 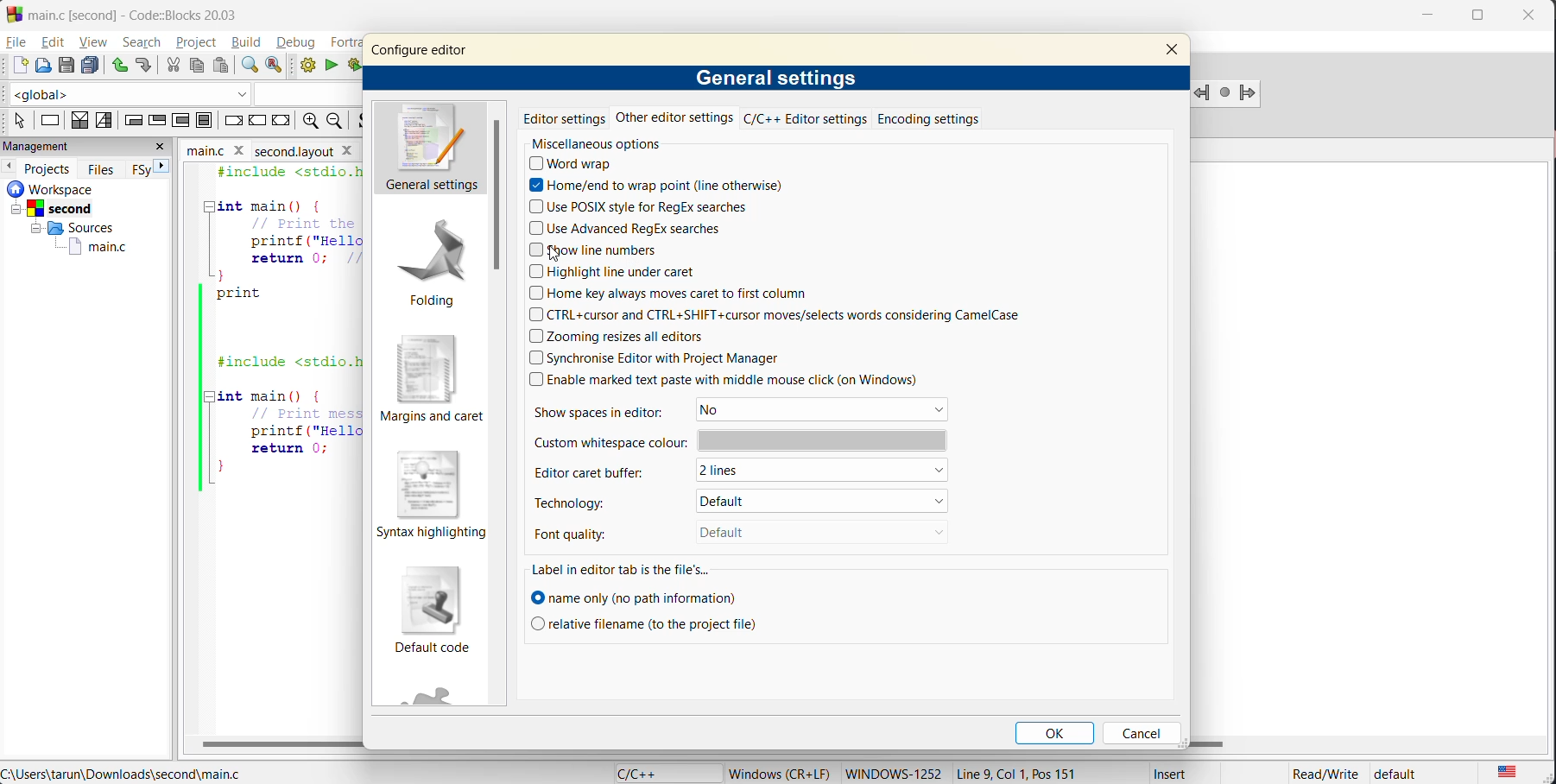 I want to click on folding, so click(x=432, y=261).